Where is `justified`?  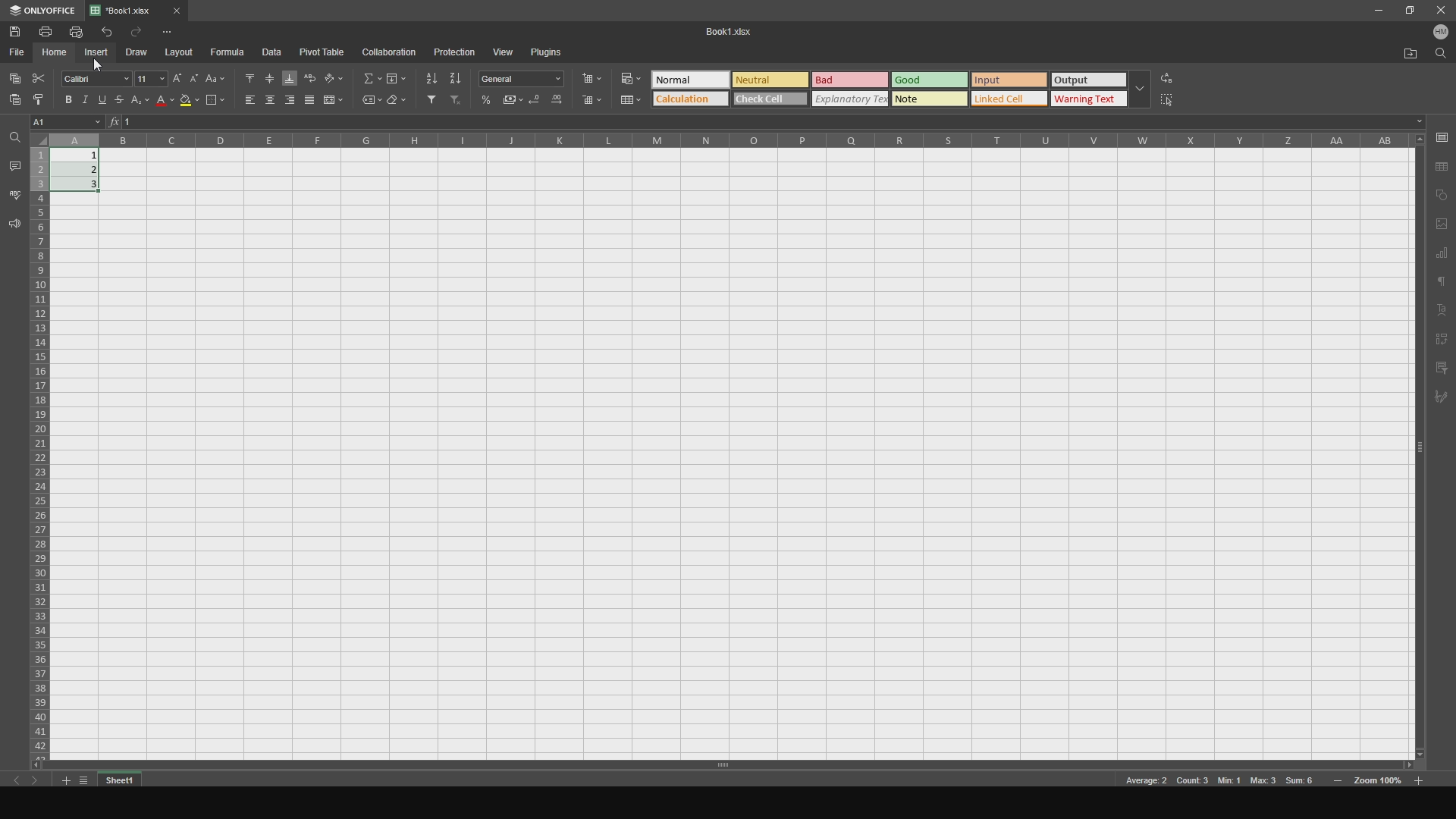
justified is located at coordinates (309, 101).